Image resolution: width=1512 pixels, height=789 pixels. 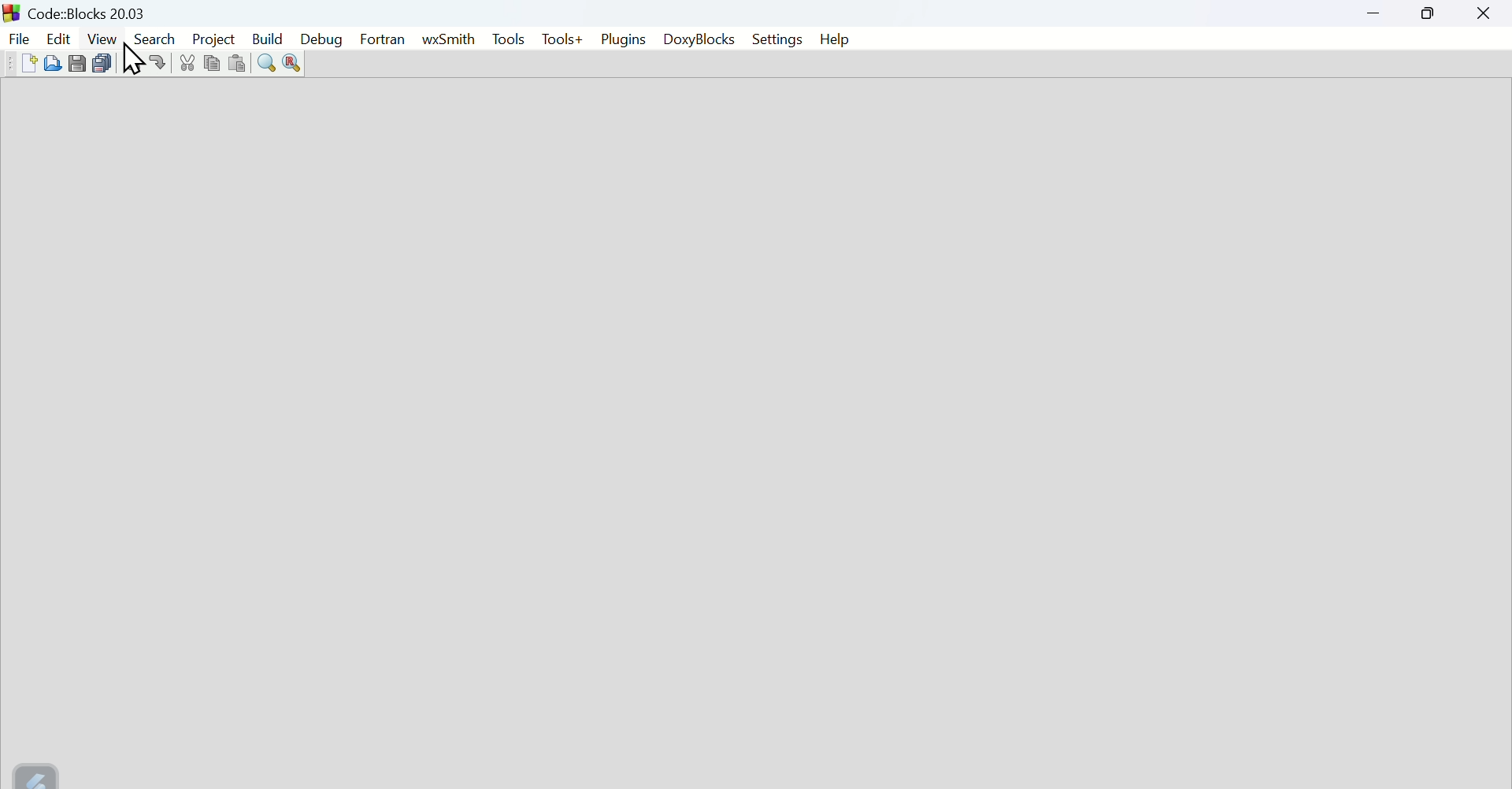 What do you see at coordinates (265, 62) in the screenshot?
I see `Find` at bounding box center [265, 62].